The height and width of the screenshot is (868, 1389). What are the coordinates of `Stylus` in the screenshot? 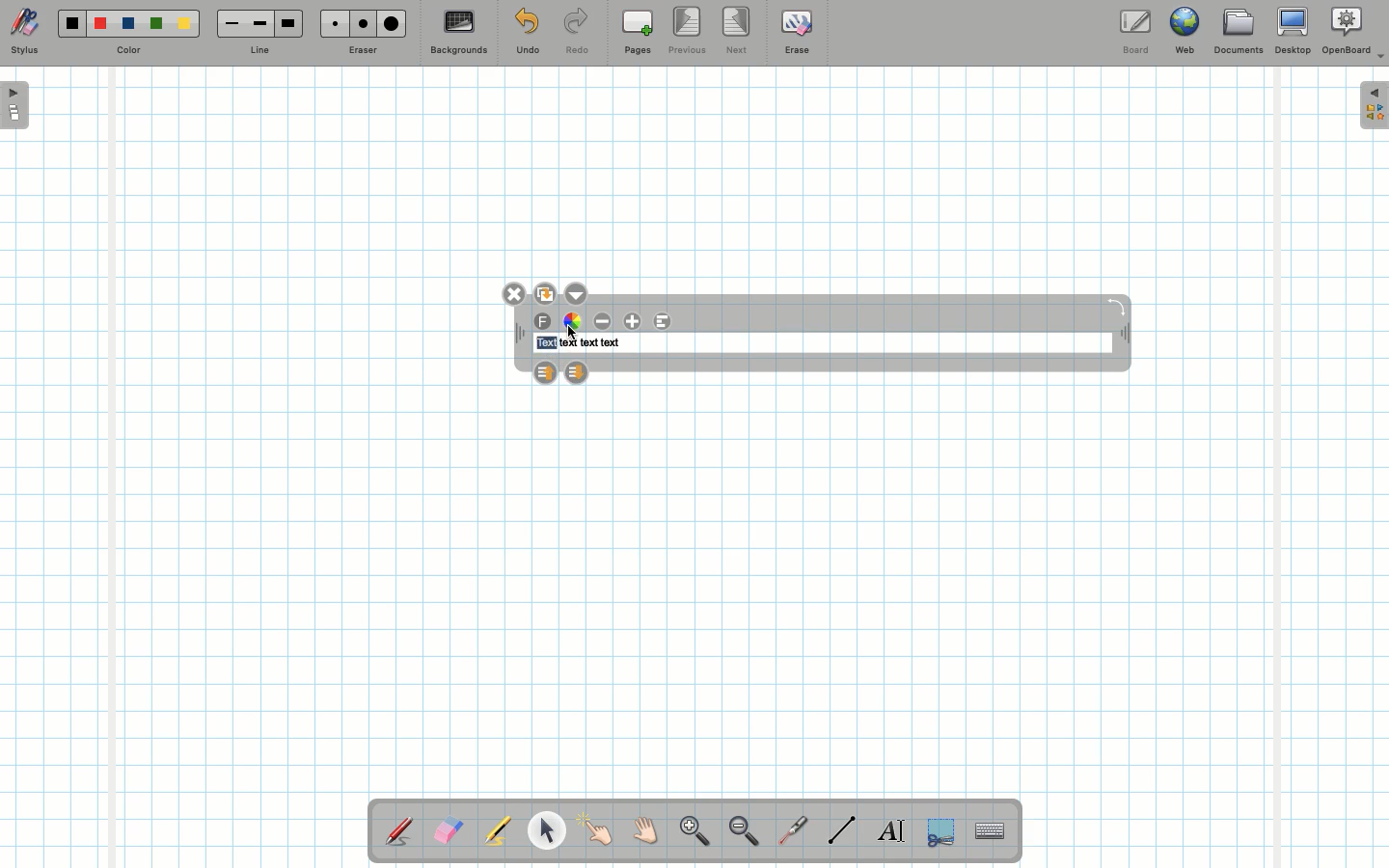 It's located at (24, 32).